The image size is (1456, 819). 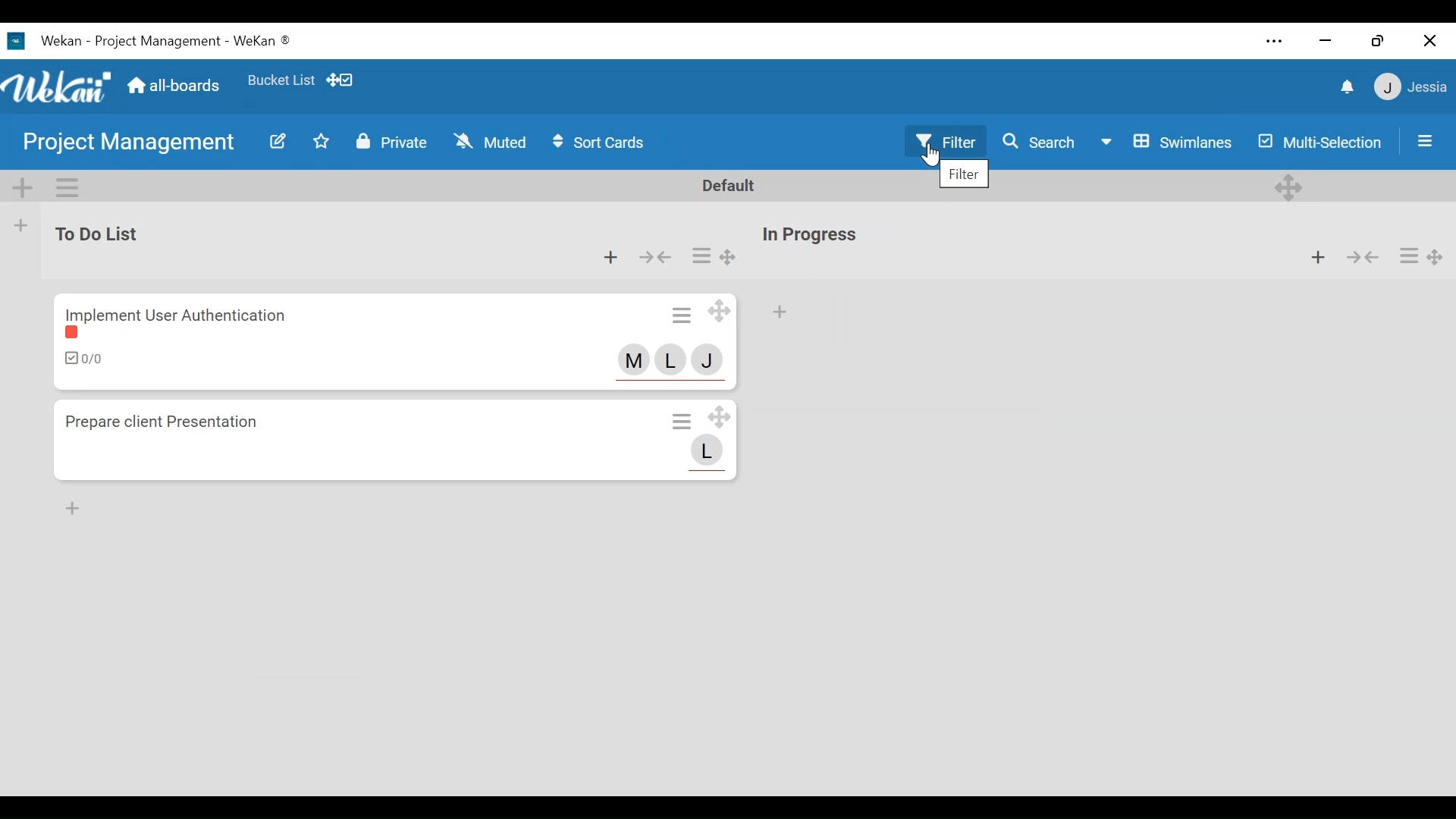 I want to click on Prepare client presentation, so click(x=174, y=425).